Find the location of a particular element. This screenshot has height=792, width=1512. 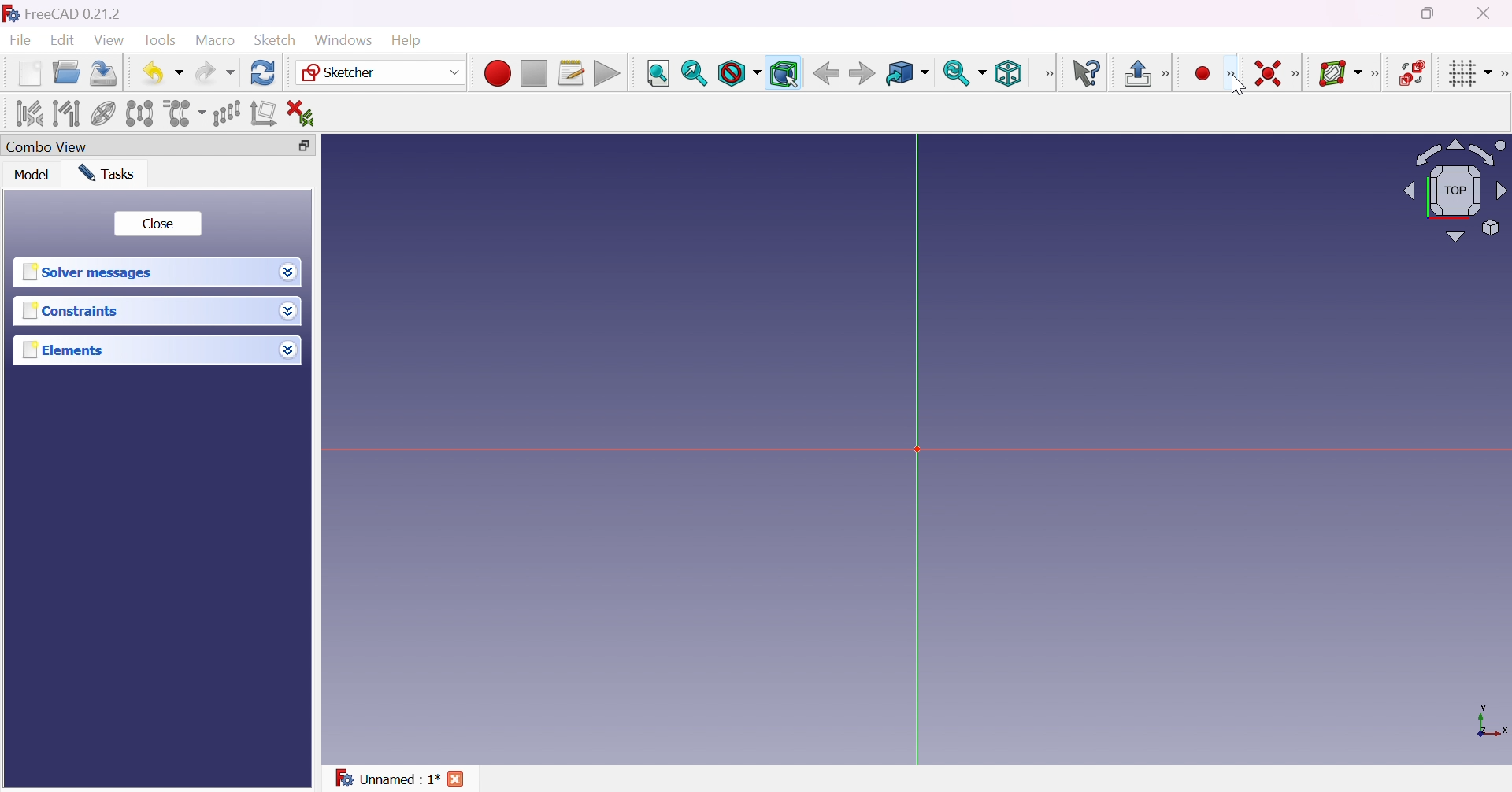

Fit selection is located at coordinates (695, 73).